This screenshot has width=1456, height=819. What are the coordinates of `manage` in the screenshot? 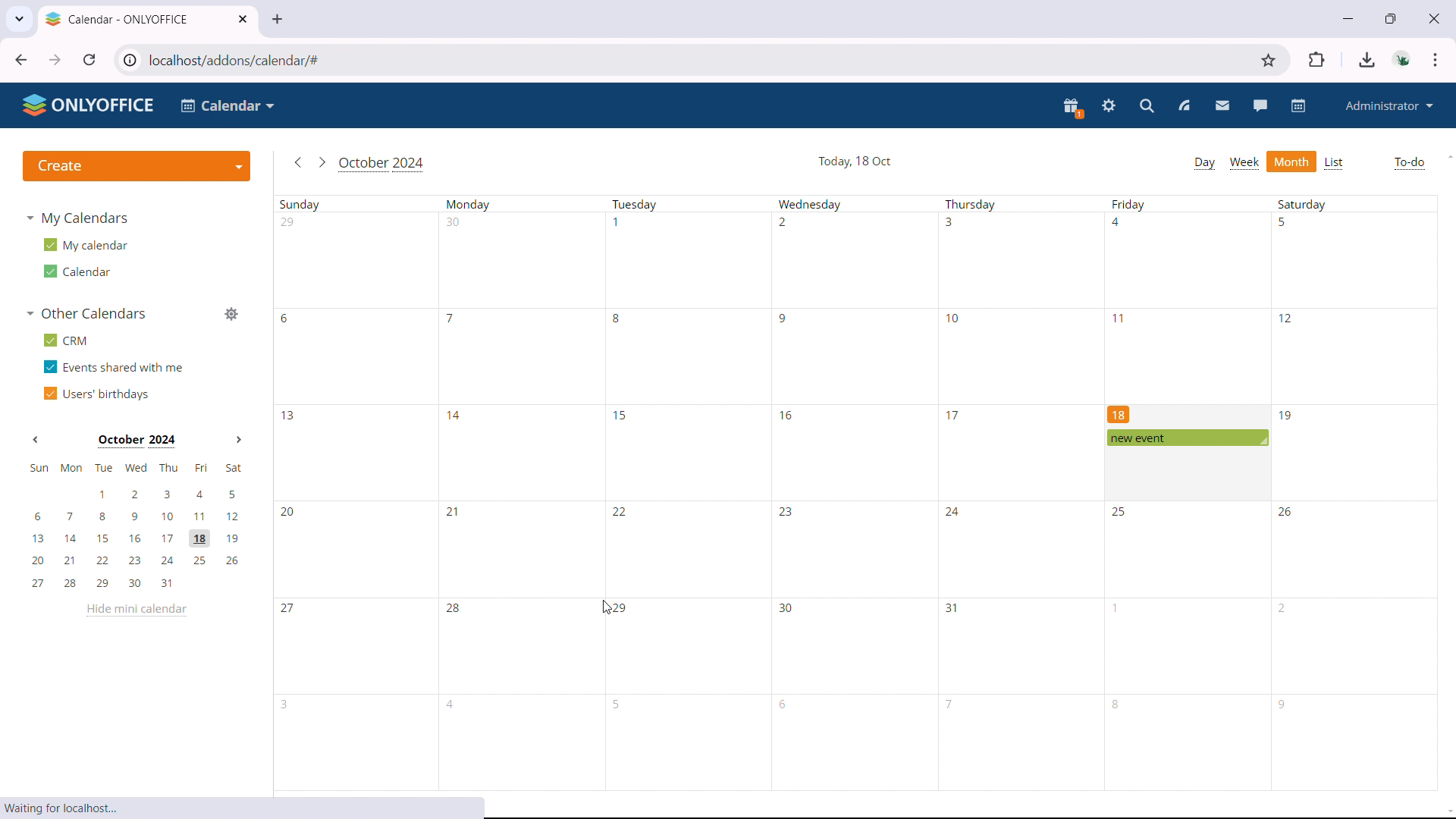 It's located at (232, 312).